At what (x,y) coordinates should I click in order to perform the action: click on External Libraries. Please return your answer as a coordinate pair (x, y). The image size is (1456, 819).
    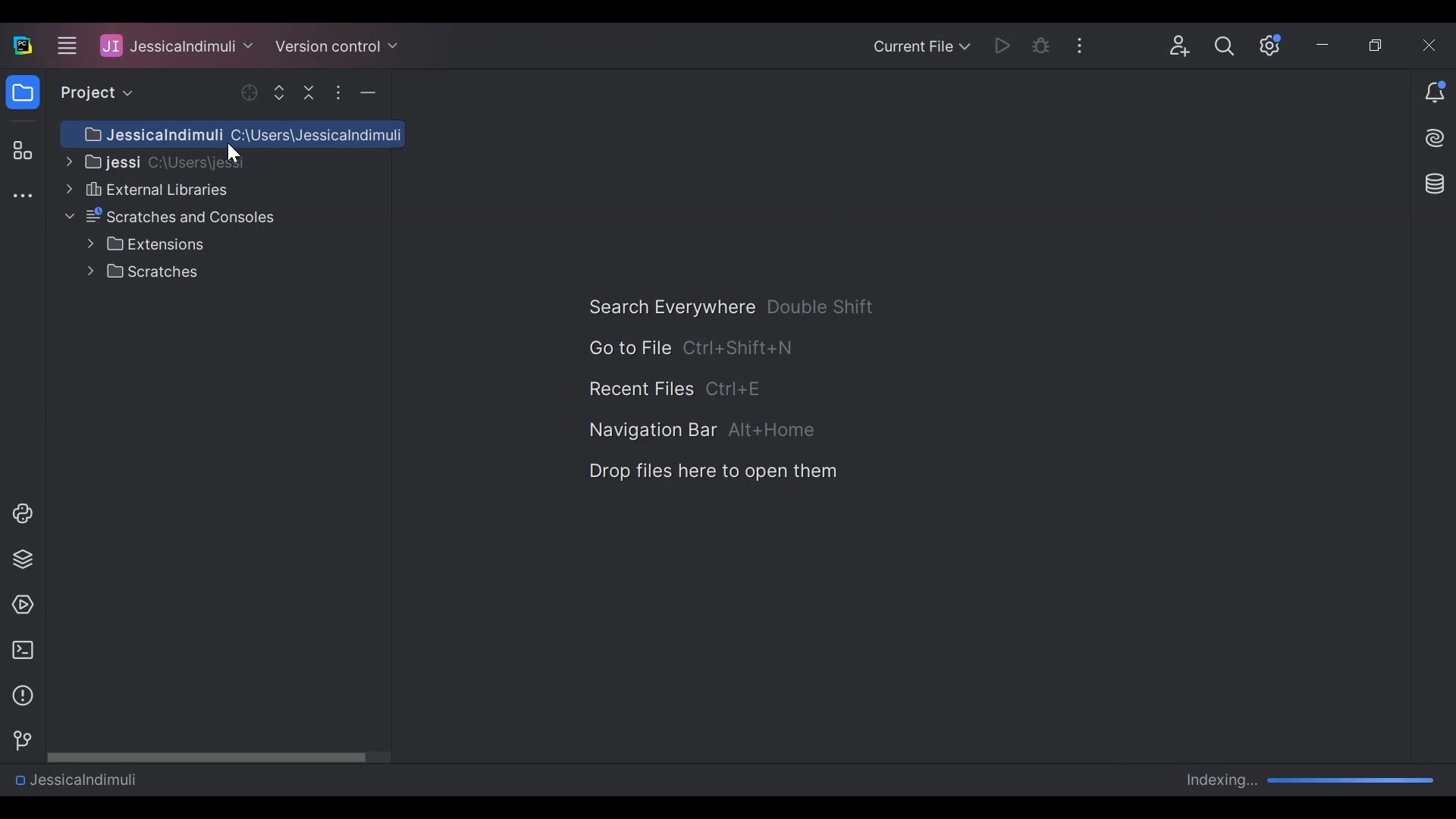
    Looking at the image, I should click on (145, 189).